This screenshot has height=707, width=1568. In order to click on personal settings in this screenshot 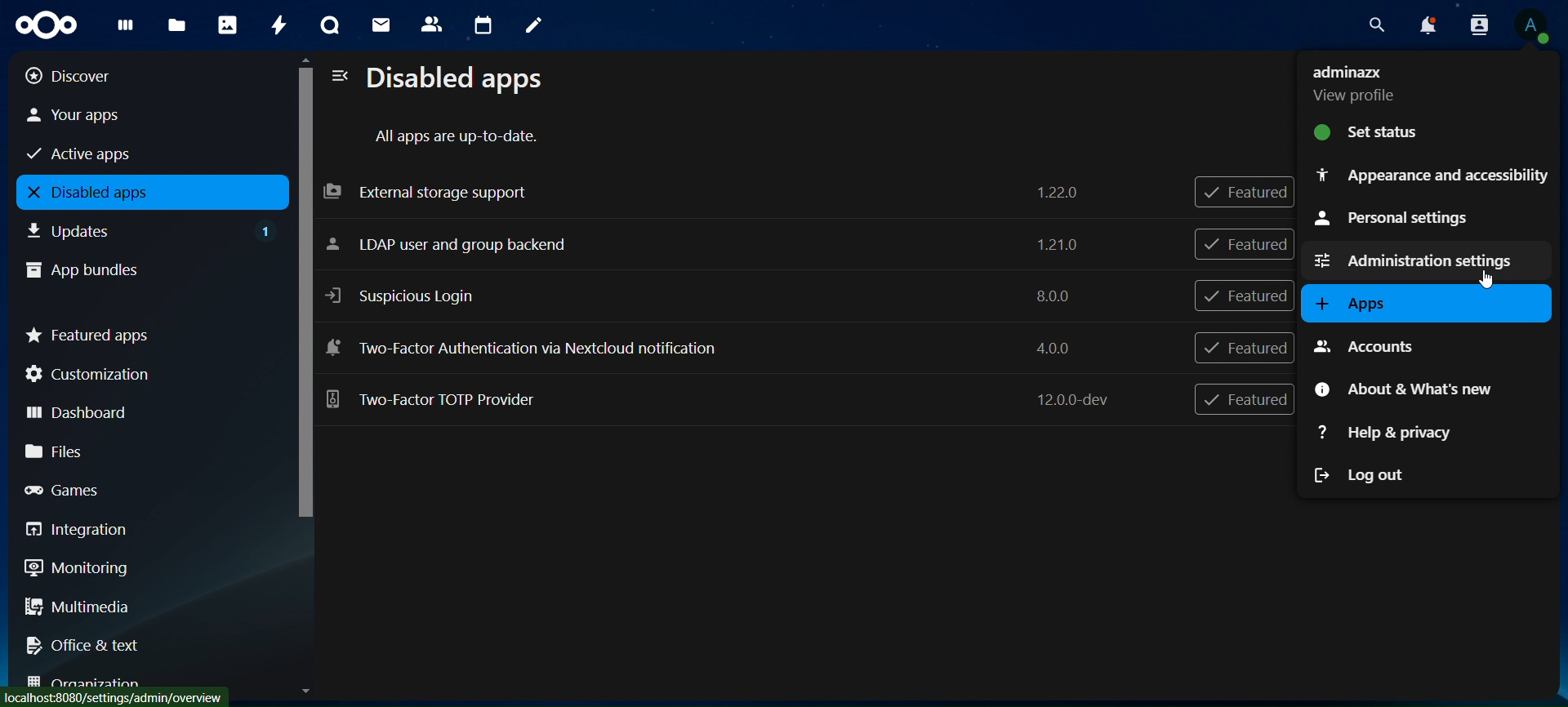, I will do `click(1410, 219)`.